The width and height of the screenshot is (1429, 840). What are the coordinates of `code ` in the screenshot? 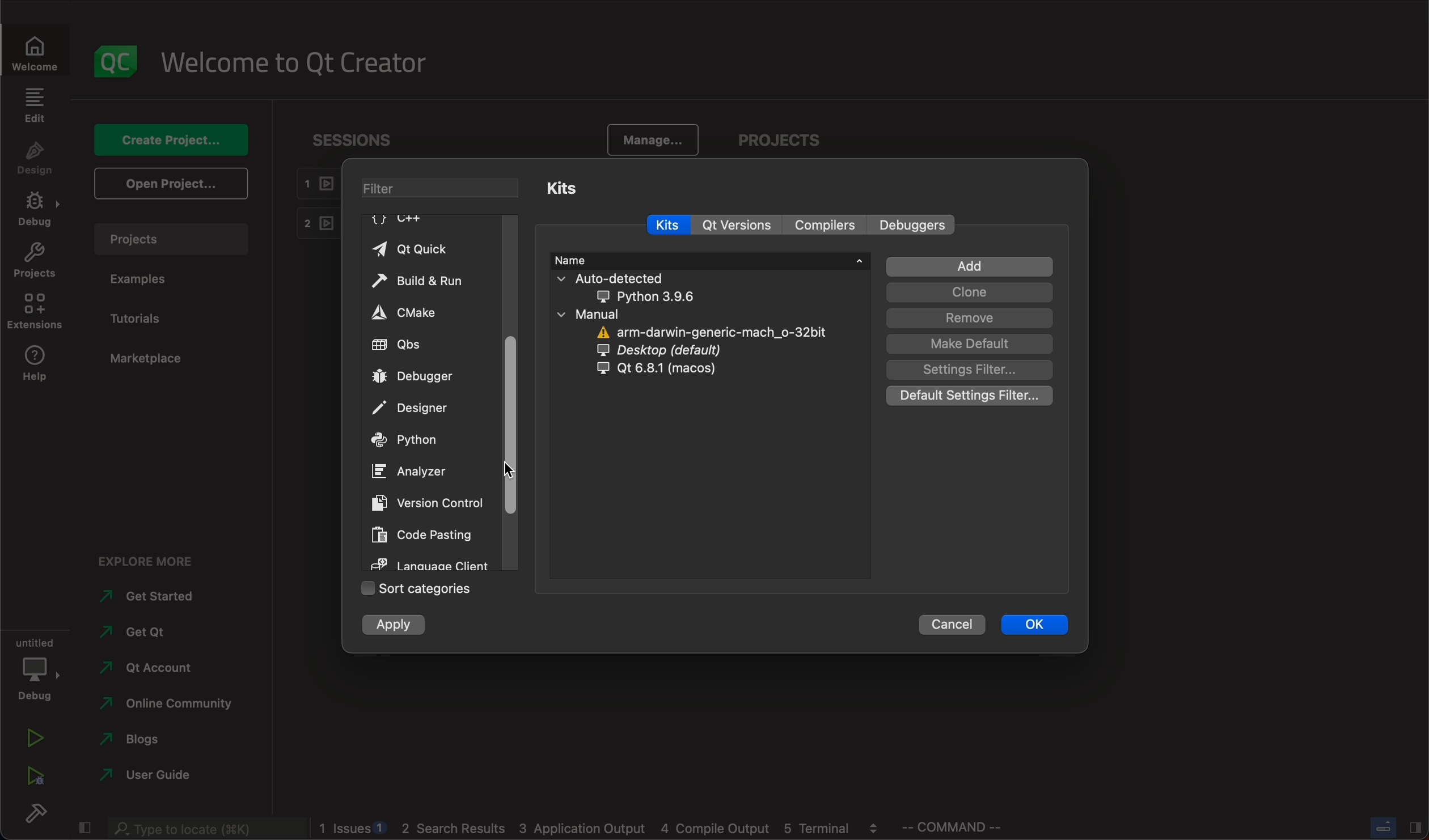 It's located at (428, 532).